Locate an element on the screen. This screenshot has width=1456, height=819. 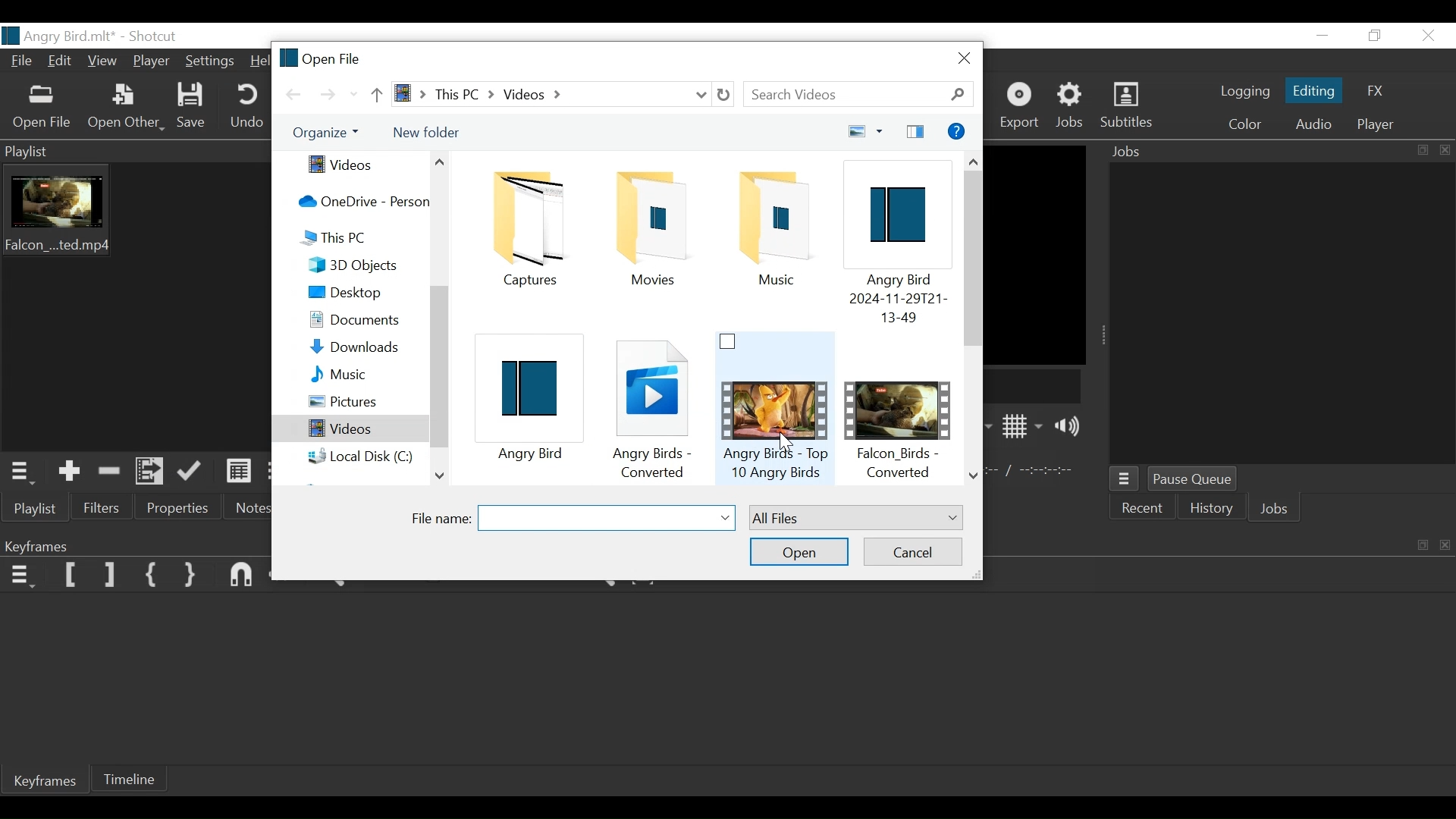
Filter is located at coordinates (99, 507).